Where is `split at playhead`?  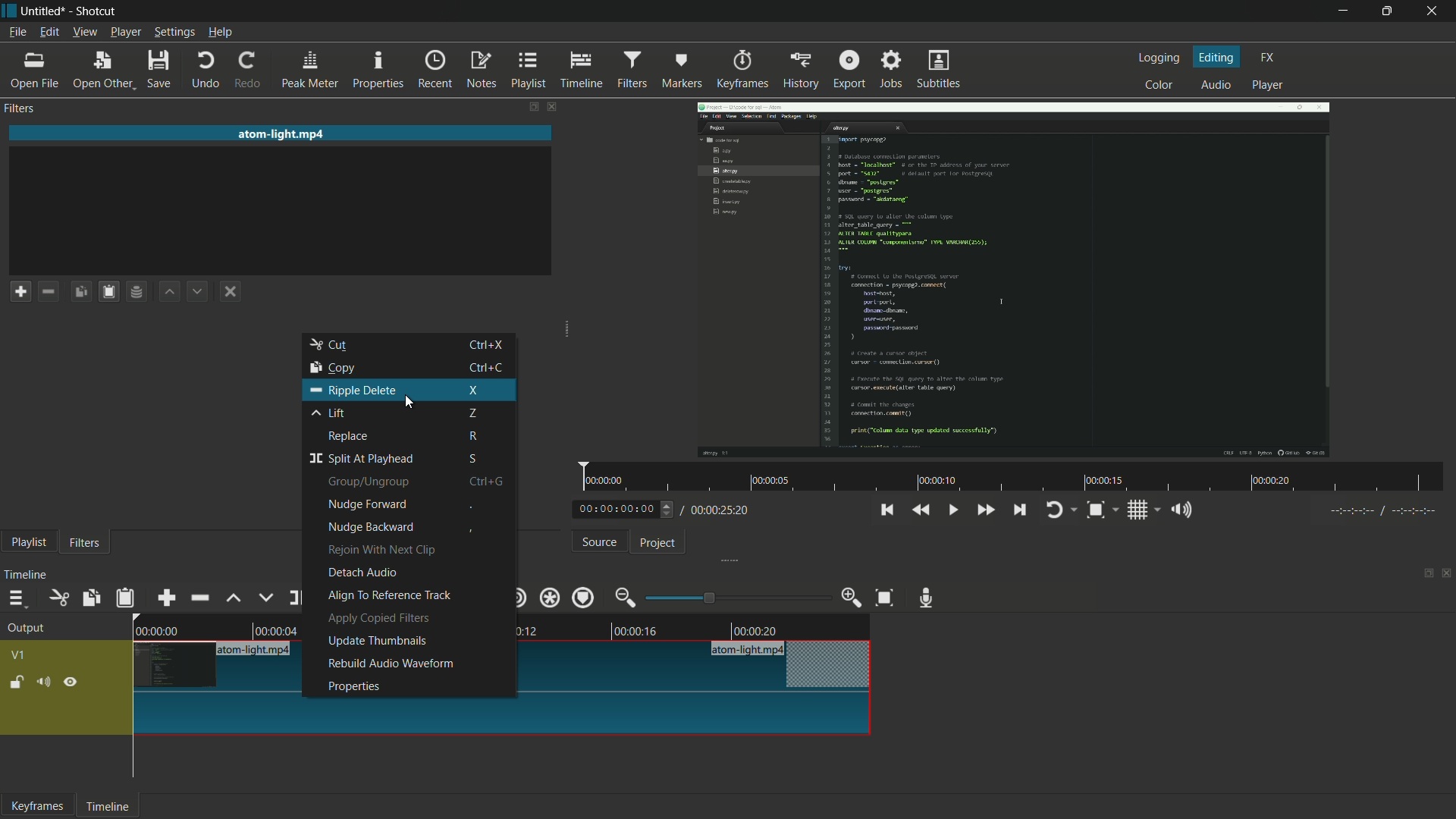
split at playhead is located at coordinates (406, 457).